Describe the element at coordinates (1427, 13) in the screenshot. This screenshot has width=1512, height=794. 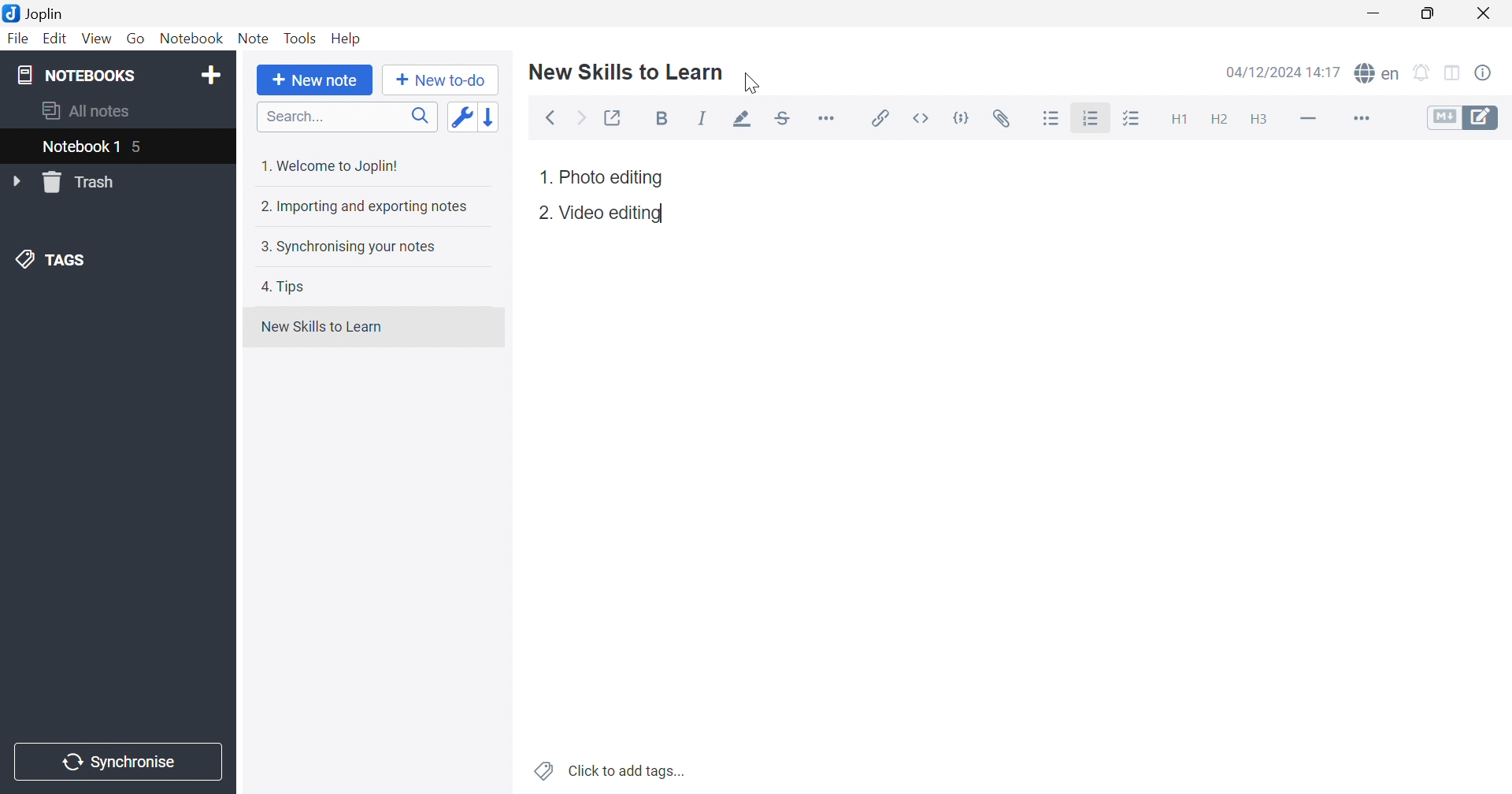
I see `Restore down` at that location.